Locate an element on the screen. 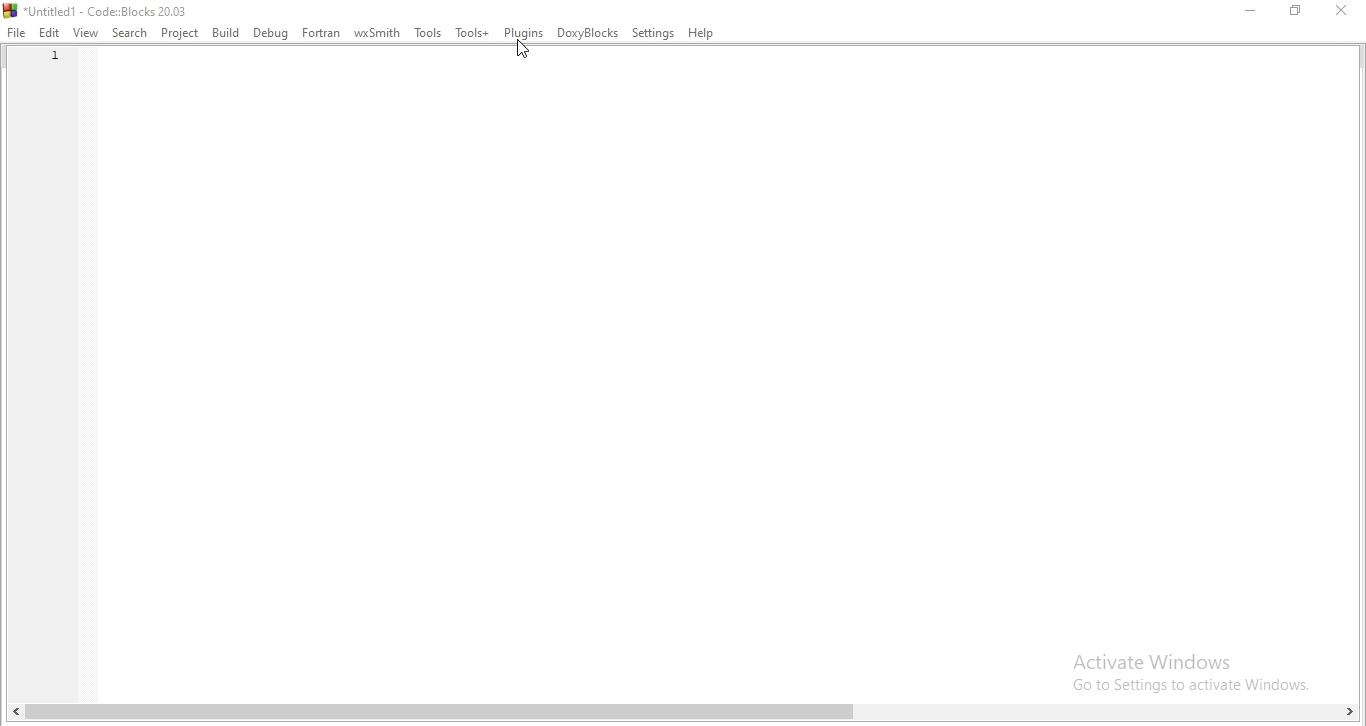  Search is located at coordinates (128, 32).